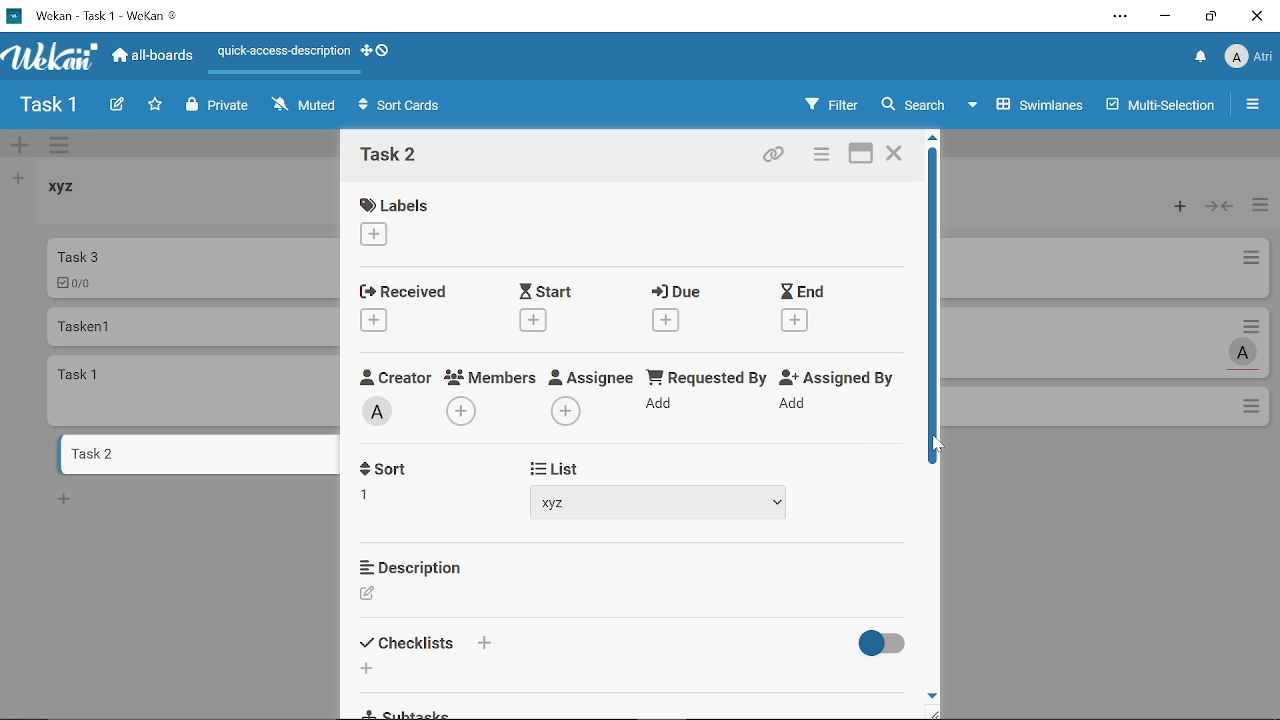 The image size is (1280, 720). Describe the element at coordinates (1256, 16) in the screenshot. I see `Close` at that location.